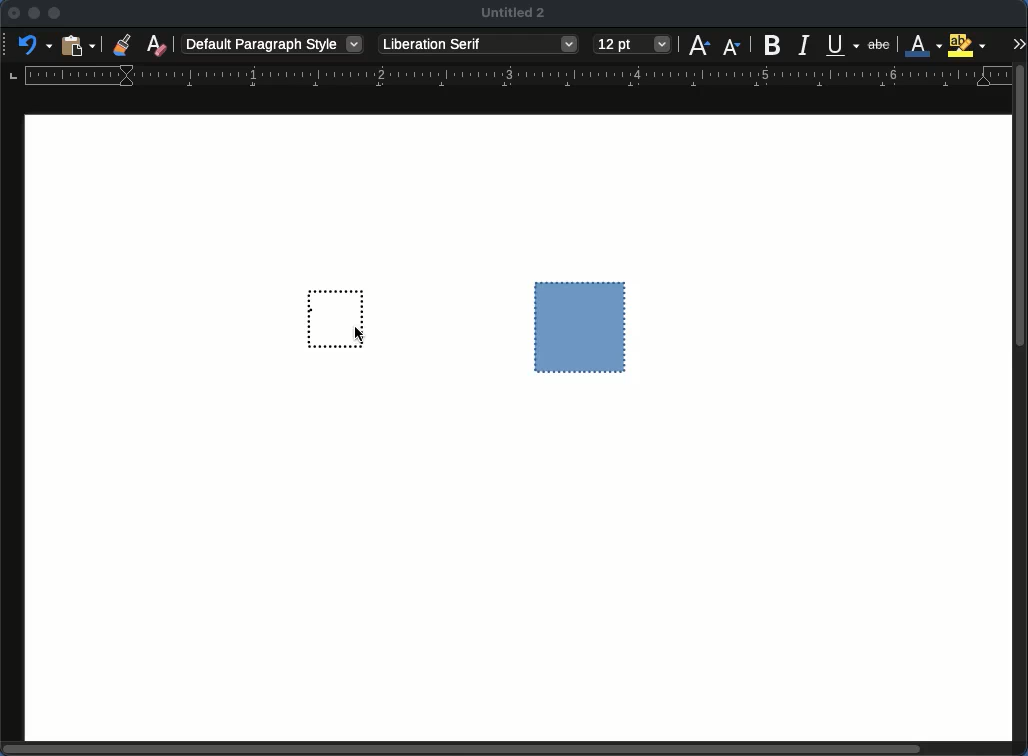  Describe the element at coordinates (327, 316) in the screenshot. I see `text box` at that location.